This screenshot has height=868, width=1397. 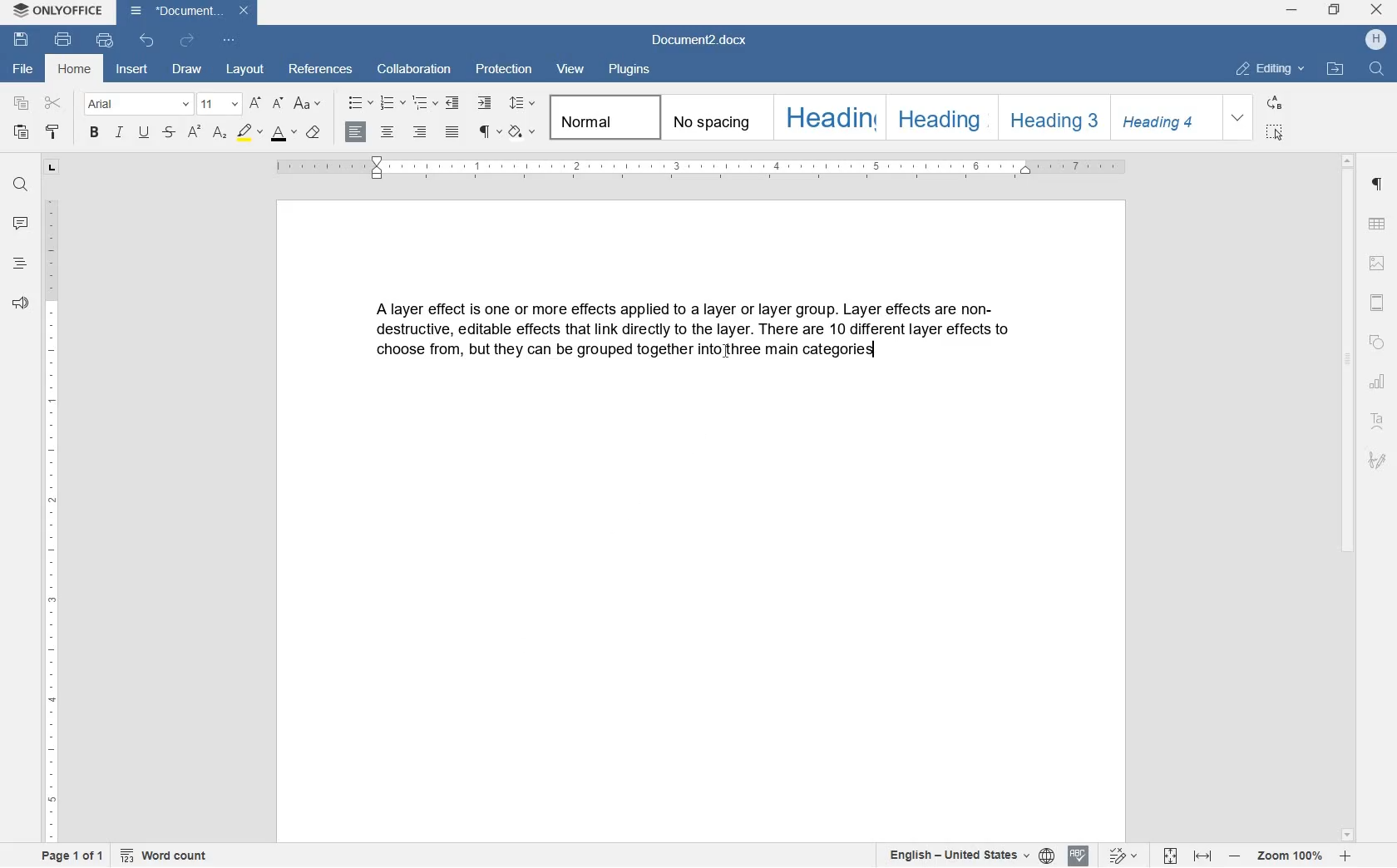 What do you see at coordinates (486, 101) in the screenshot?
I see `increase indent` at bounding box center [486, 101].